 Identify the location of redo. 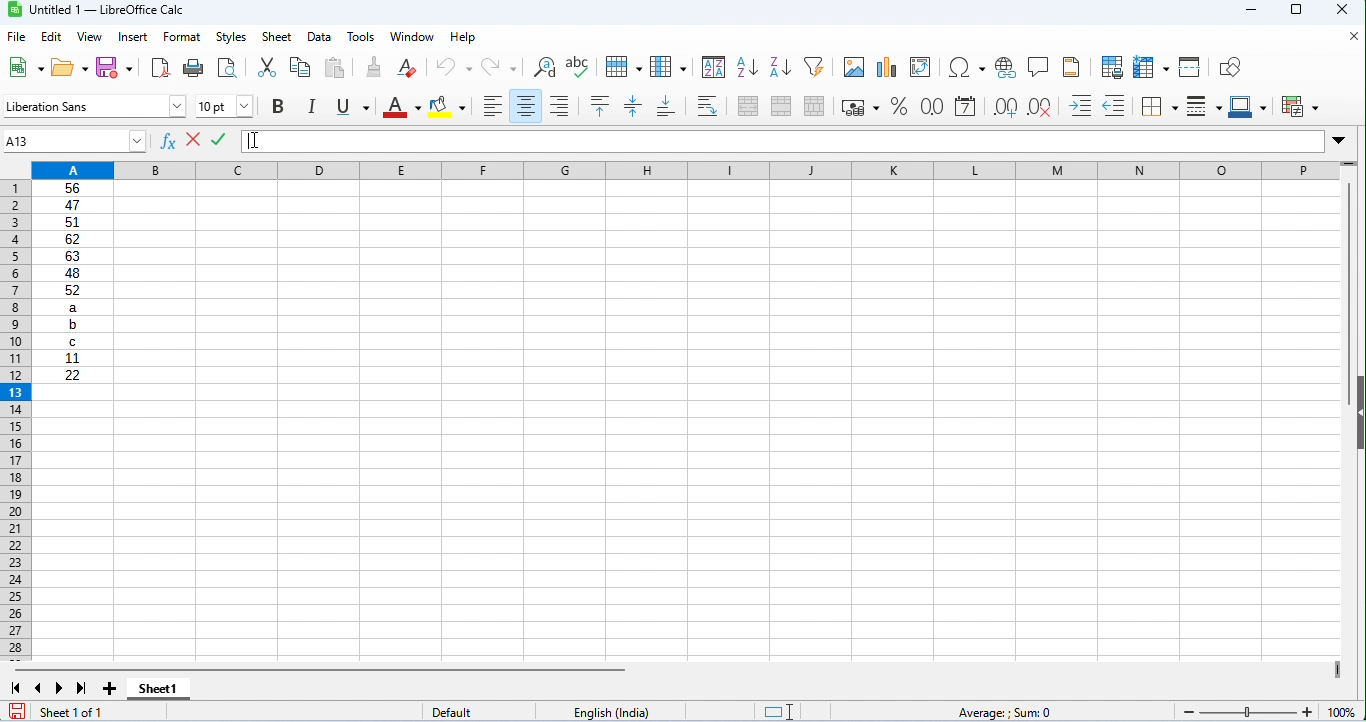
(499, 68).